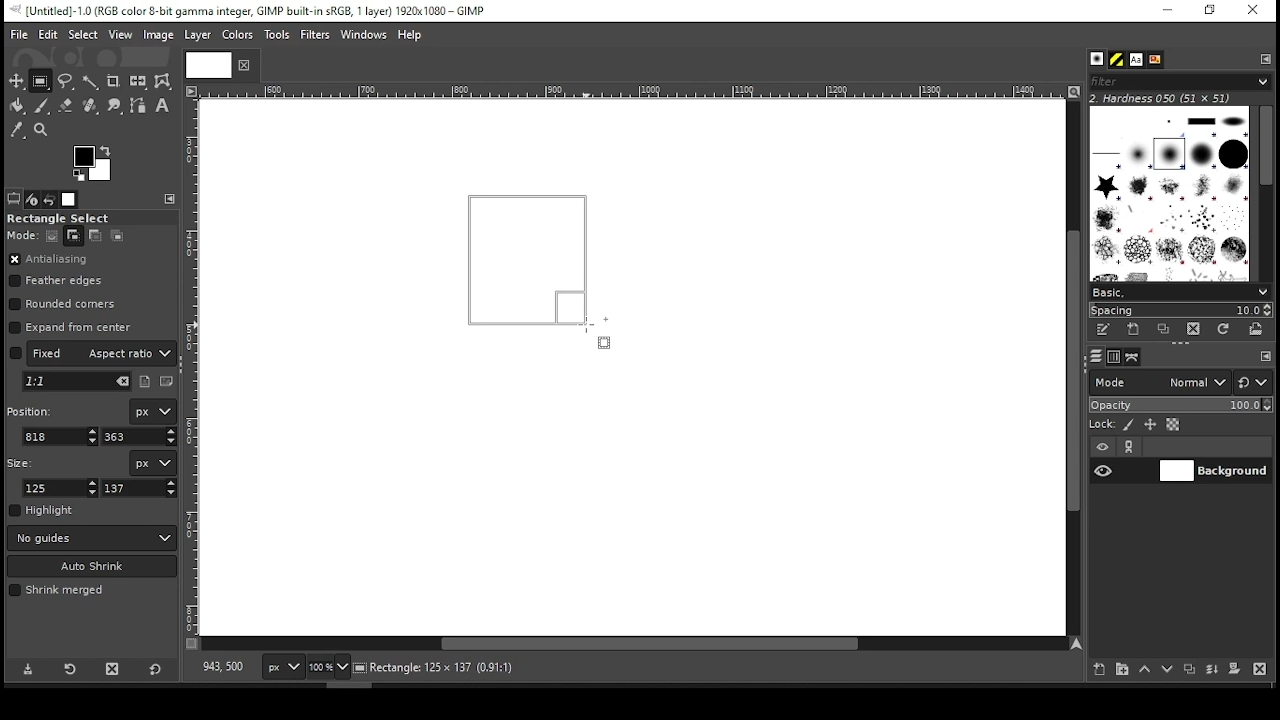 The image size is (1280, 720). Describe the element at coordinates (121, 36) in the screenshot. I see `view` at that location.